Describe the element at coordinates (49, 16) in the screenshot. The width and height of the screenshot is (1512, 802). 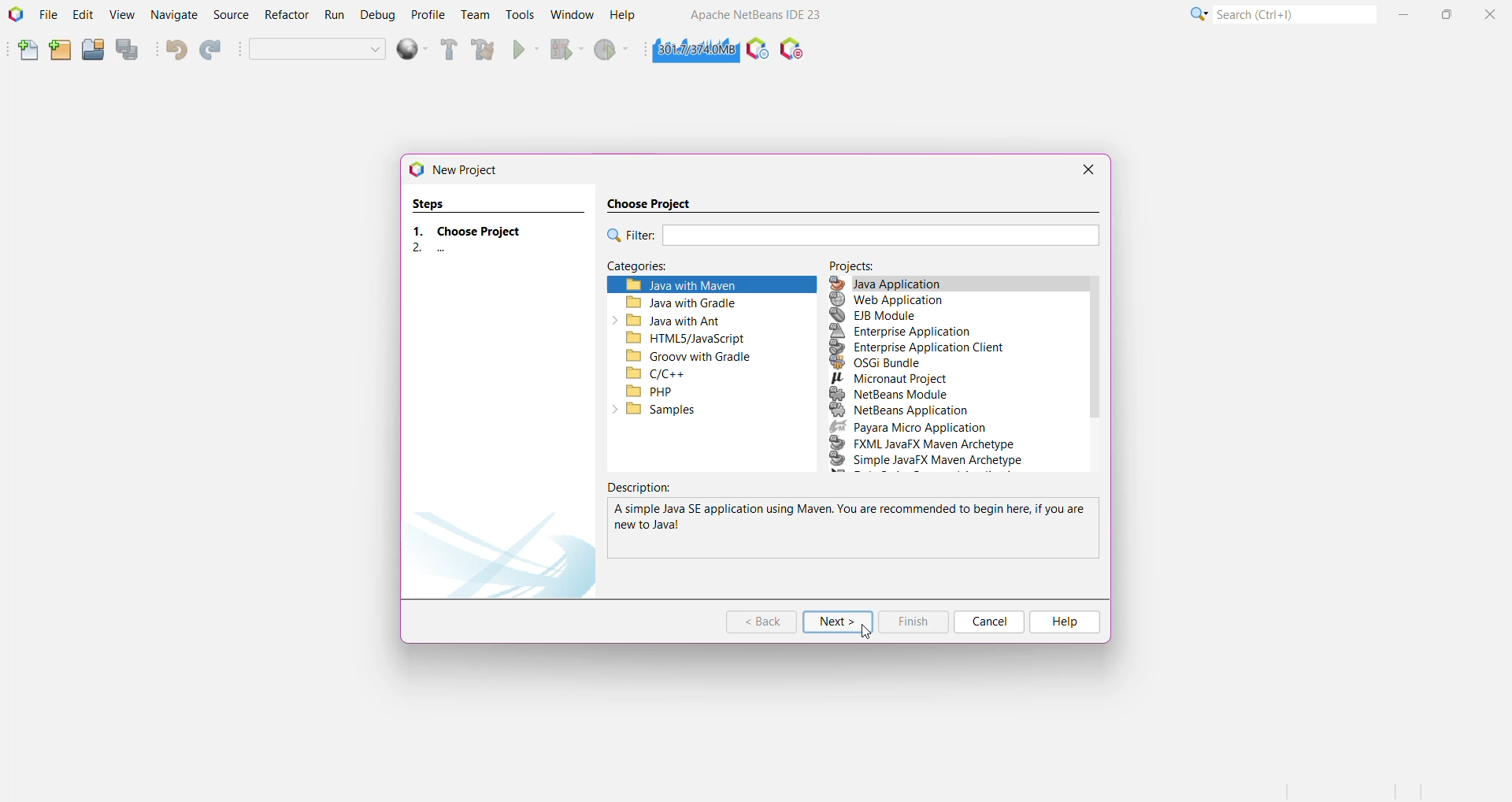
I see `File` at that location.